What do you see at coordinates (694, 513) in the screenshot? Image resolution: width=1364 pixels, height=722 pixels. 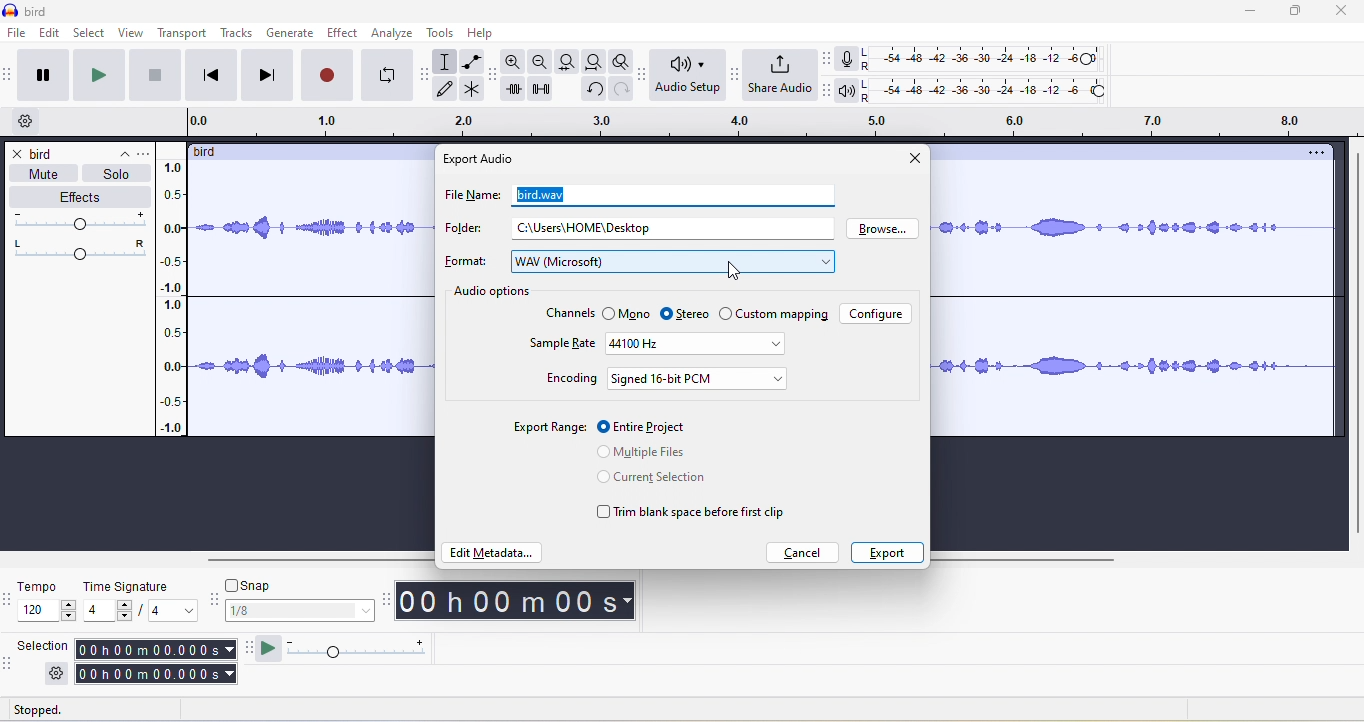 I see `trim blank space before first clip` at bounding box center [694, 513].